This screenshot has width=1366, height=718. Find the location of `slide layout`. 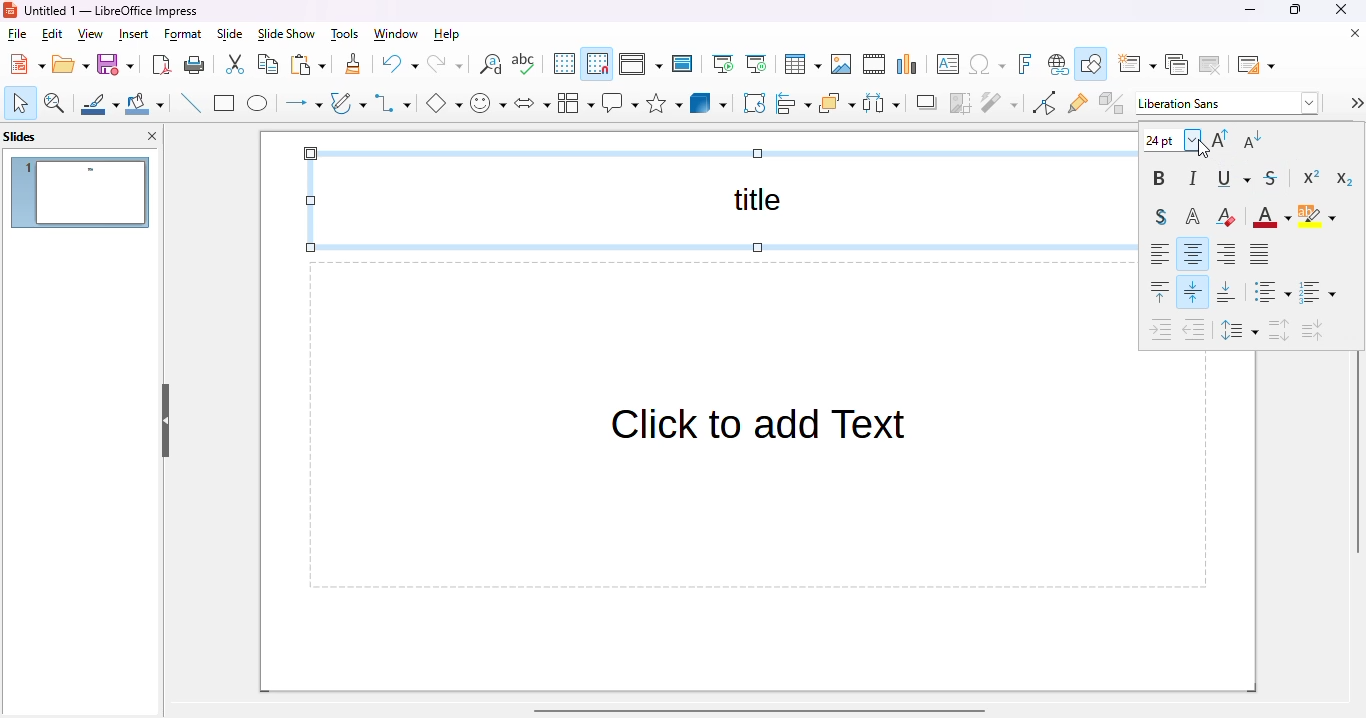

slide layout is located at coordinates (1256, 65).